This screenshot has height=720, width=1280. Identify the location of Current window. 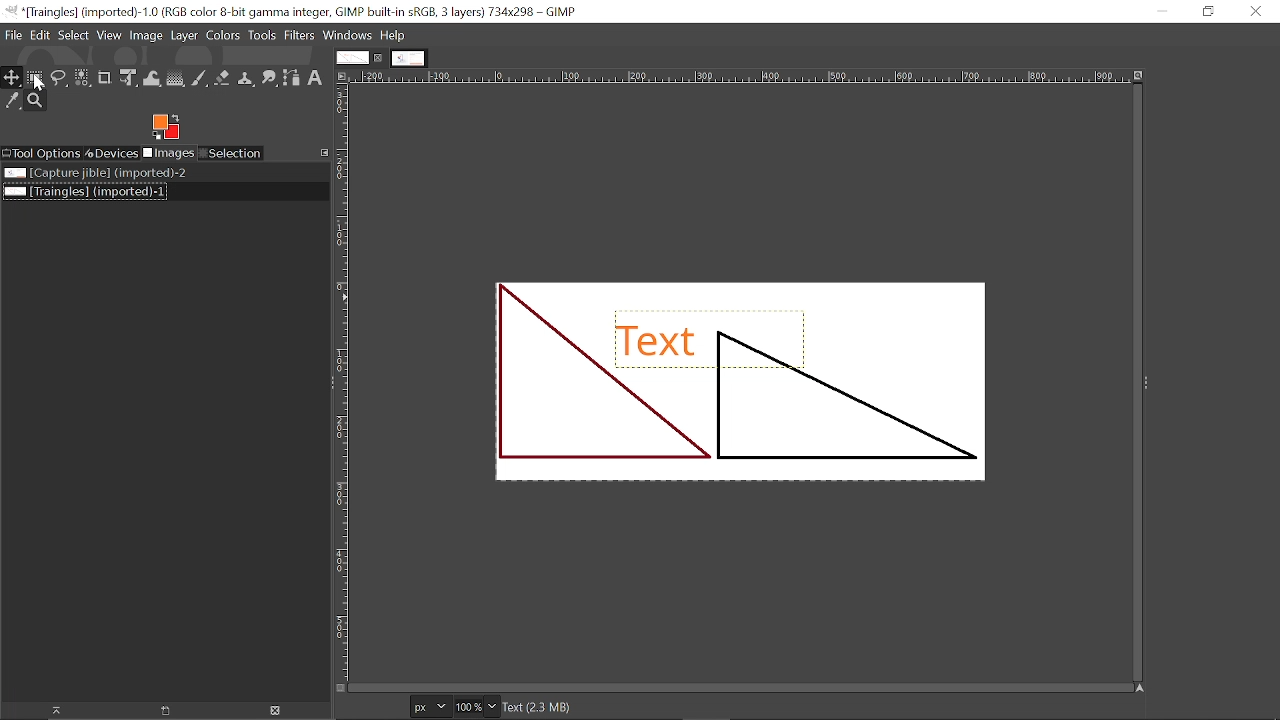
(294, 12).